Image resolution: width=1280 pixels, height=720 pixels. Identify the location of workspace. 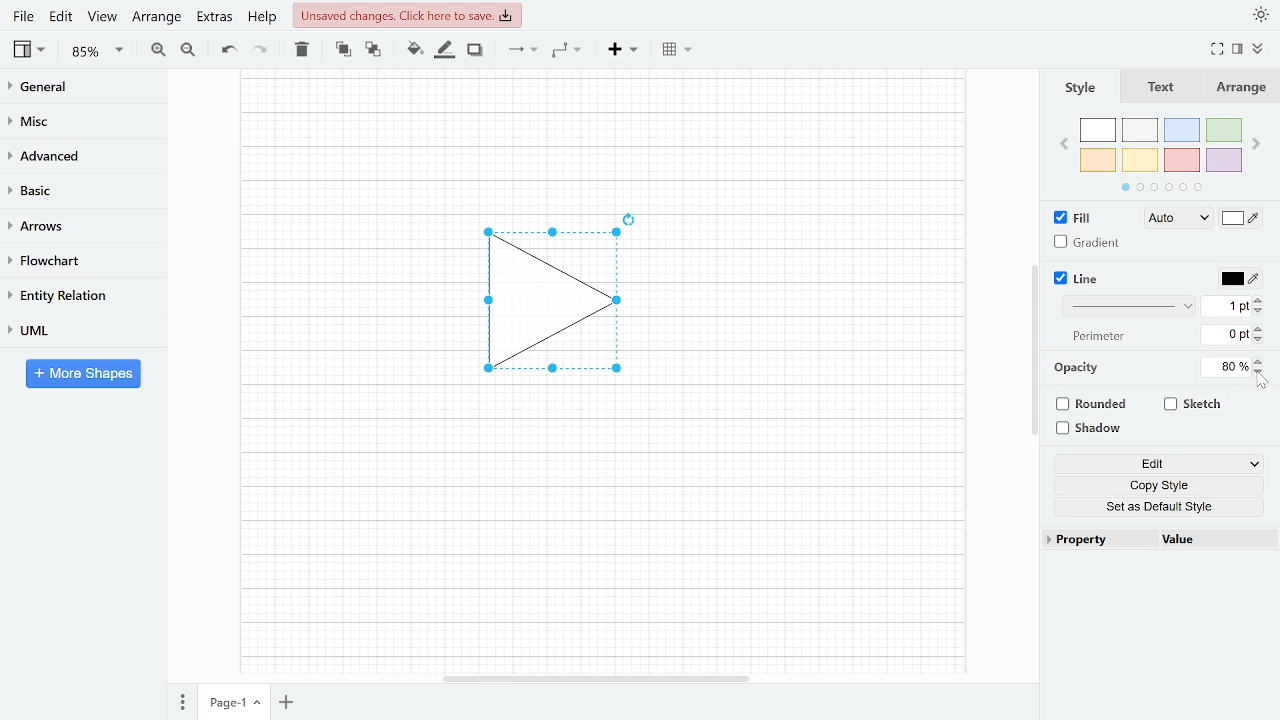
(601, 535).